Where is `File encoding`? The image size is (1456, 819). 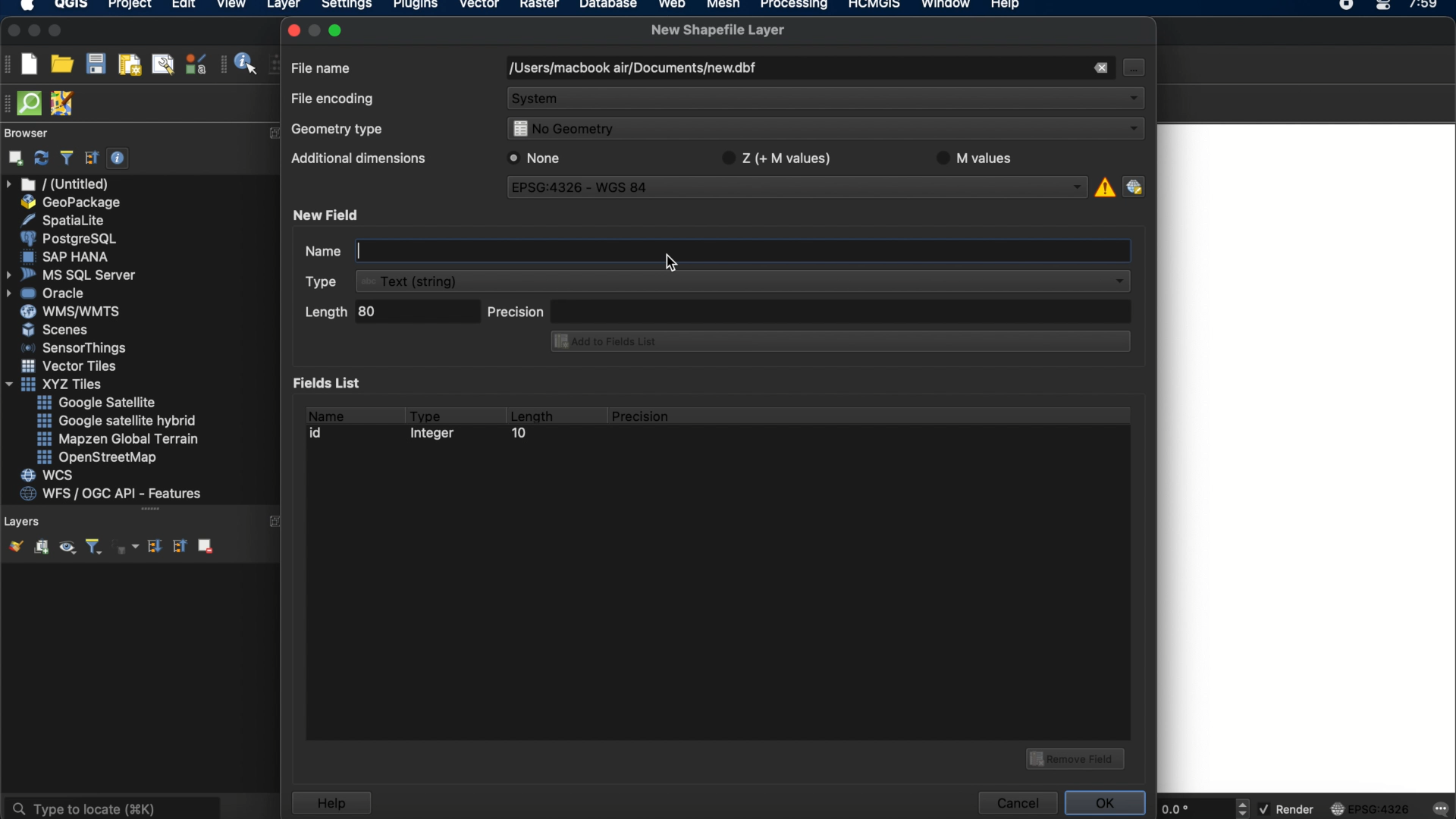 File encoding is located at coordinates (334, 99).